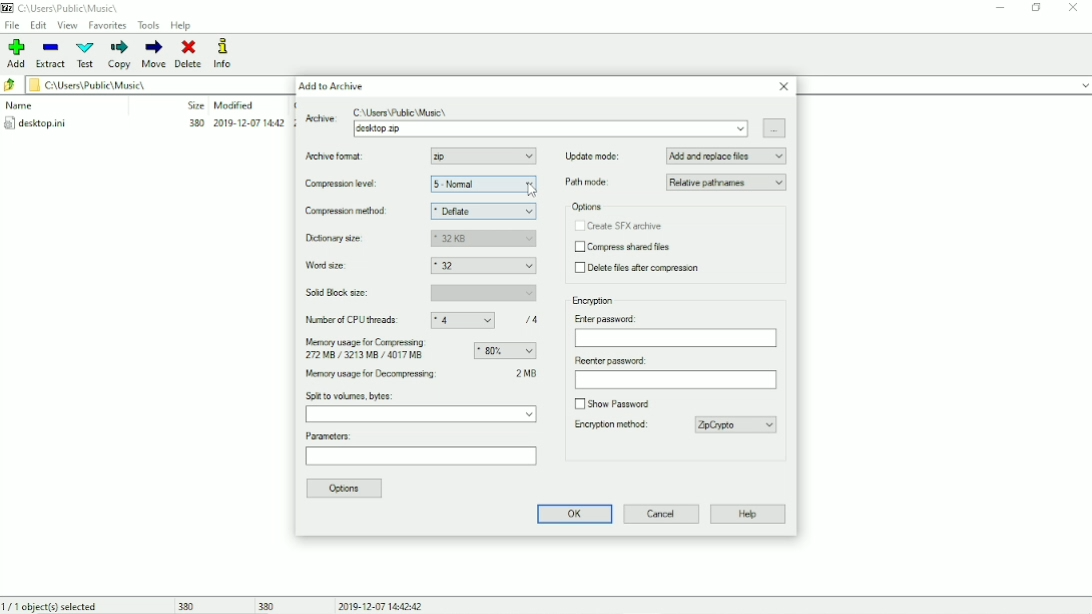 The image size is (1092, 614). I want to click on 2 MB, so click(527, 374).